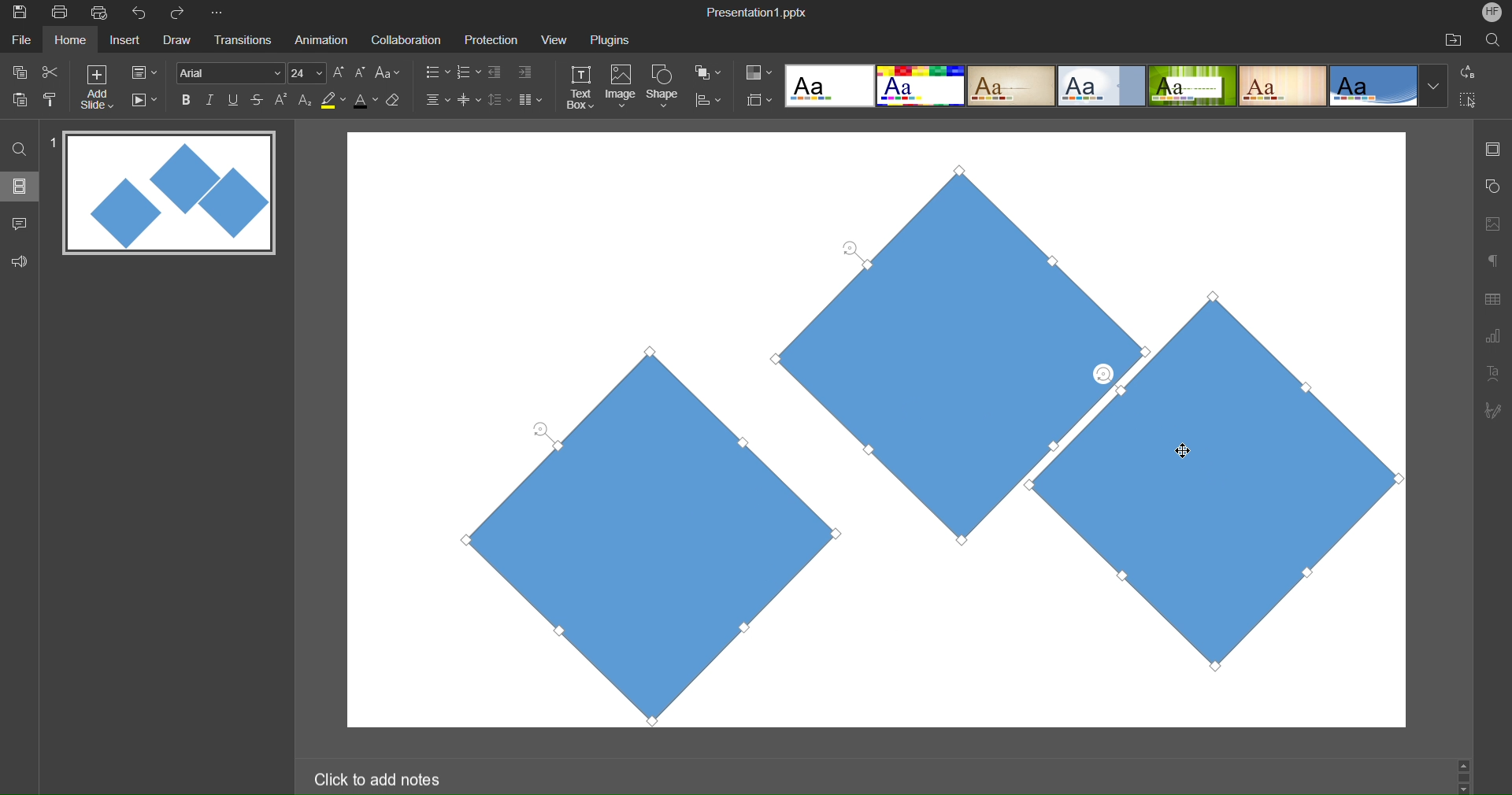 This screenshot has height=795, width=1512. I want to click on Playback, so click(143, 101).